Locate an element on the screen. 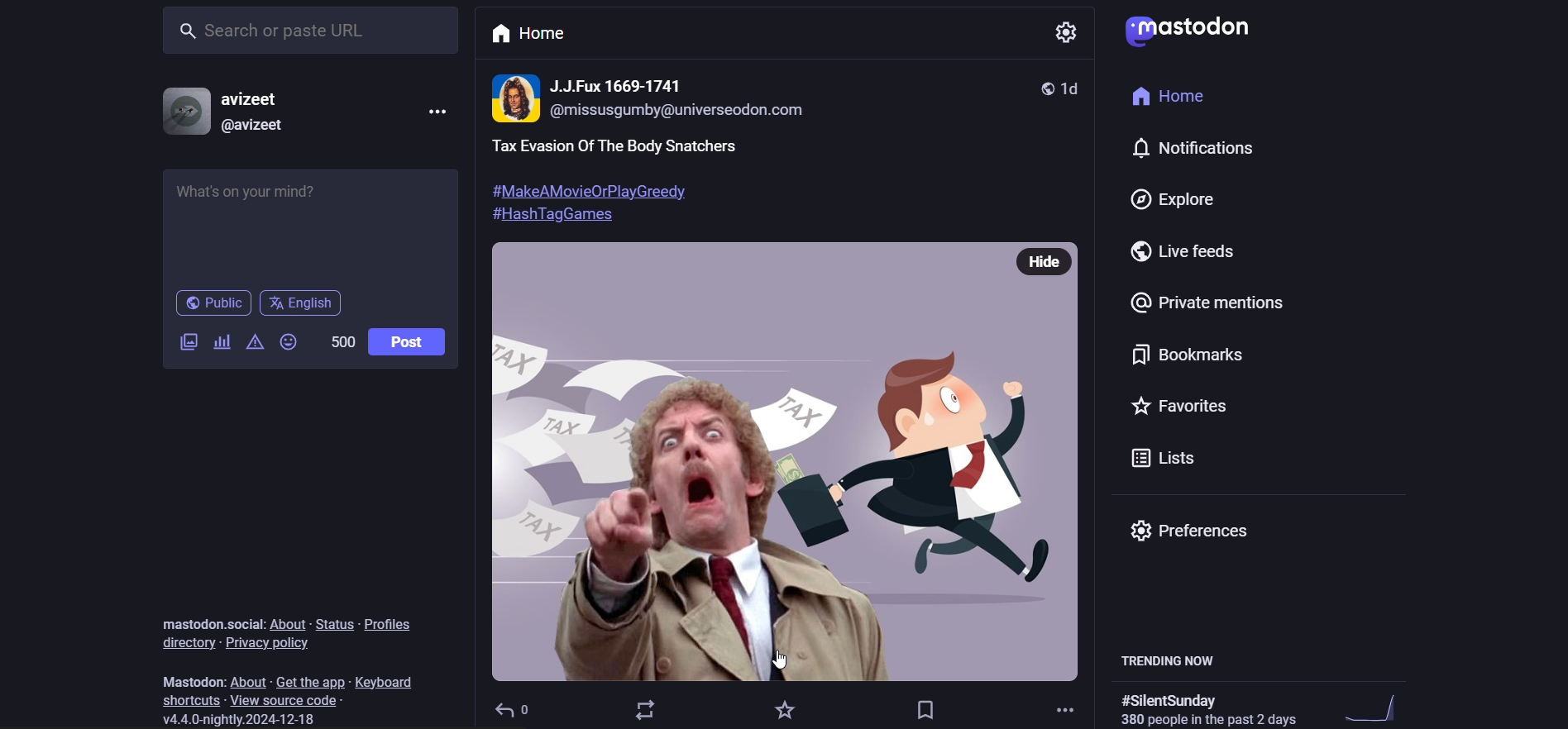 This screenshot has height=729, width=1568. reply is located at coordinates (513, 706).